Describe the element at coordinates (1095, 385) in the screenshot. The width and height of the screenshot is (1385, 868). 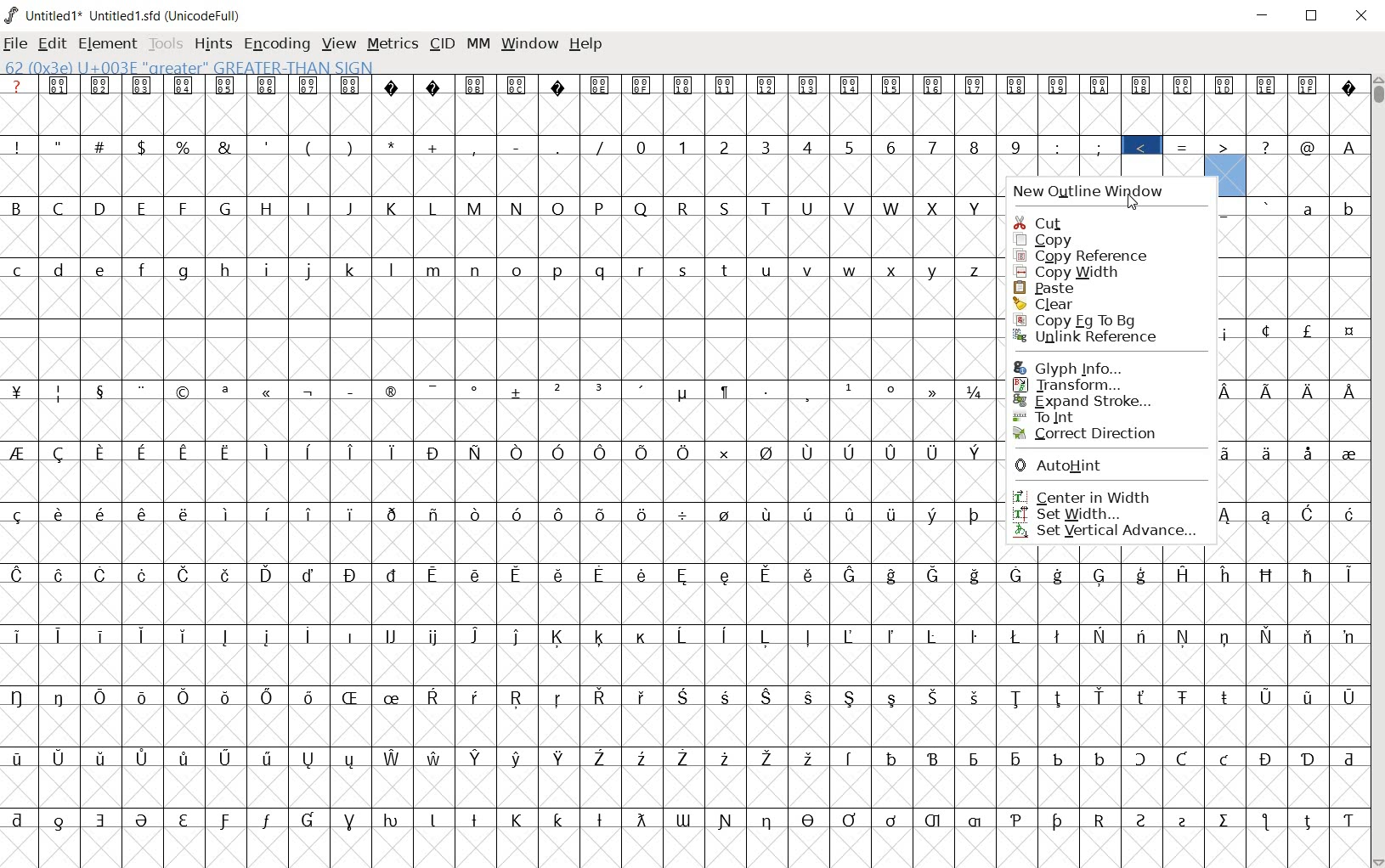
I see `Transform` at that location.